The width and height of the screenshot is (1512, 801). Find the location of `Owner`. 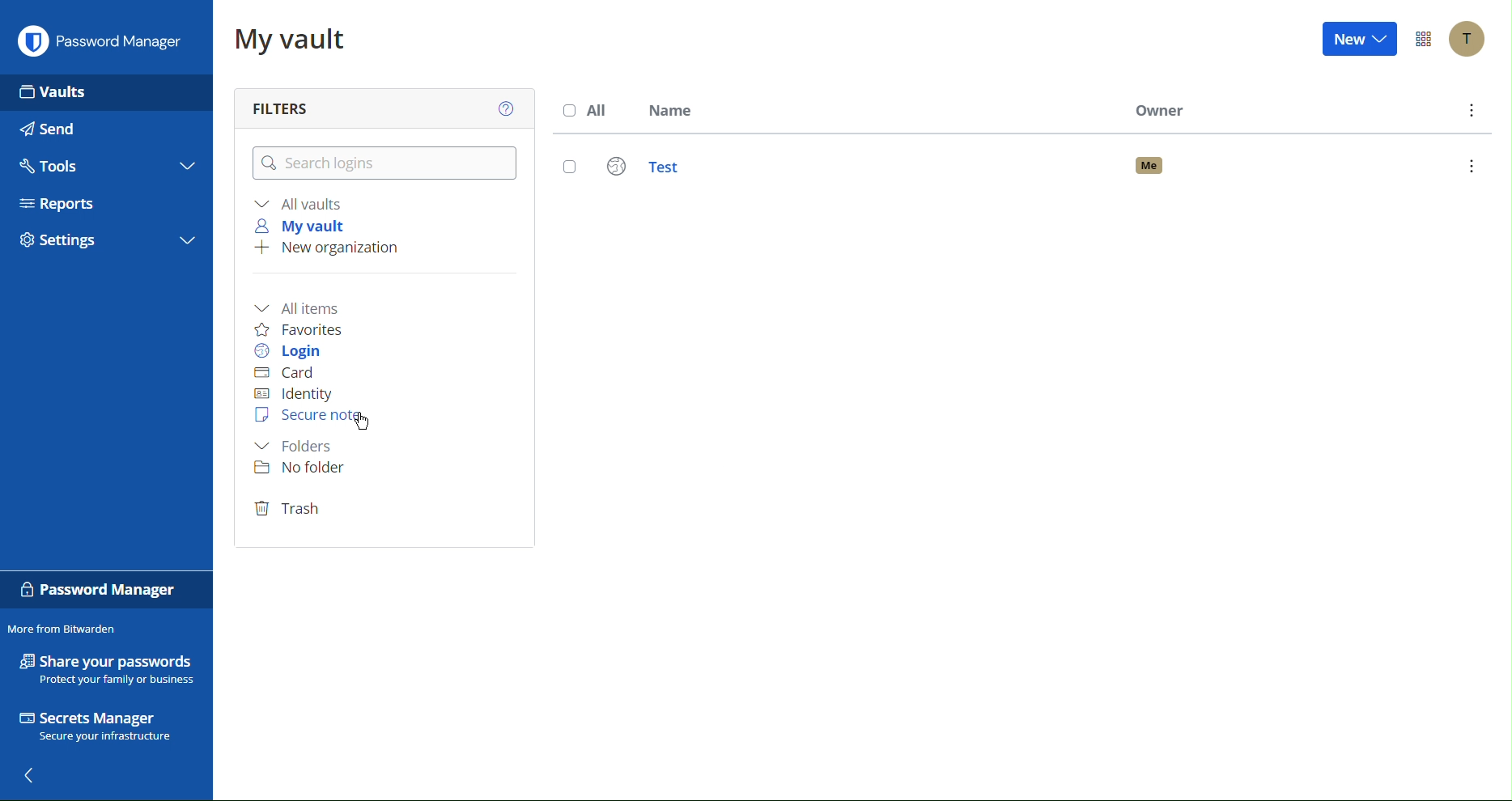

Owner is located at coordinates (1159, 112).